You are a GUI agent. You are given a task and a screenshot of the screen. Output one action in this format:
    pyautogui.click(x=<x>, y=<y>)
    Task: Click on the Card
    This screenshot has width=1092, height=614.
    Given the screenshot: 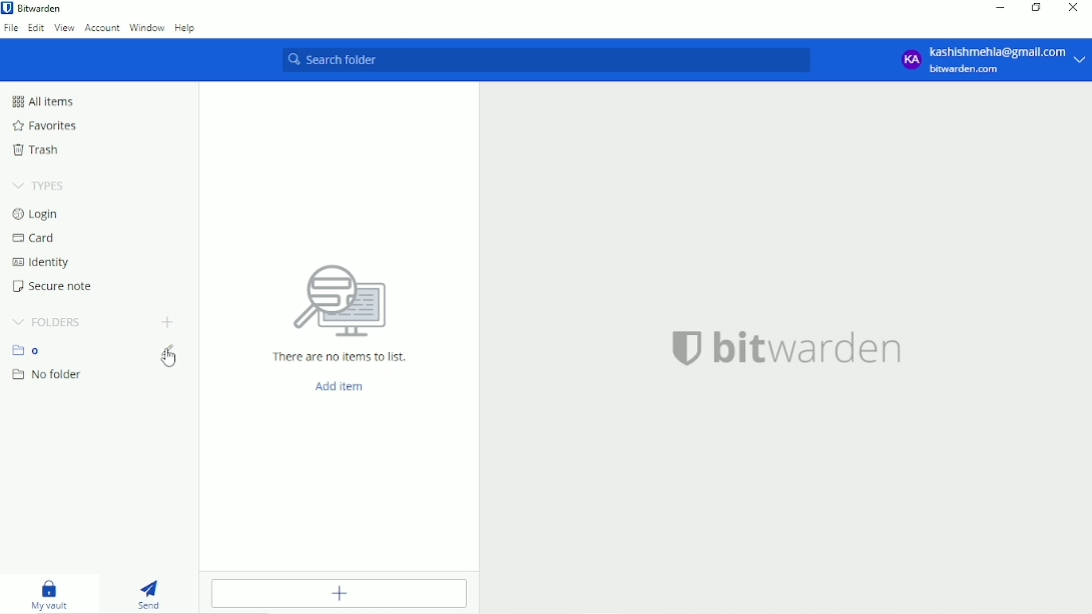 What is the action you would take?
    pyautogui.click(x=37, y=238)
    